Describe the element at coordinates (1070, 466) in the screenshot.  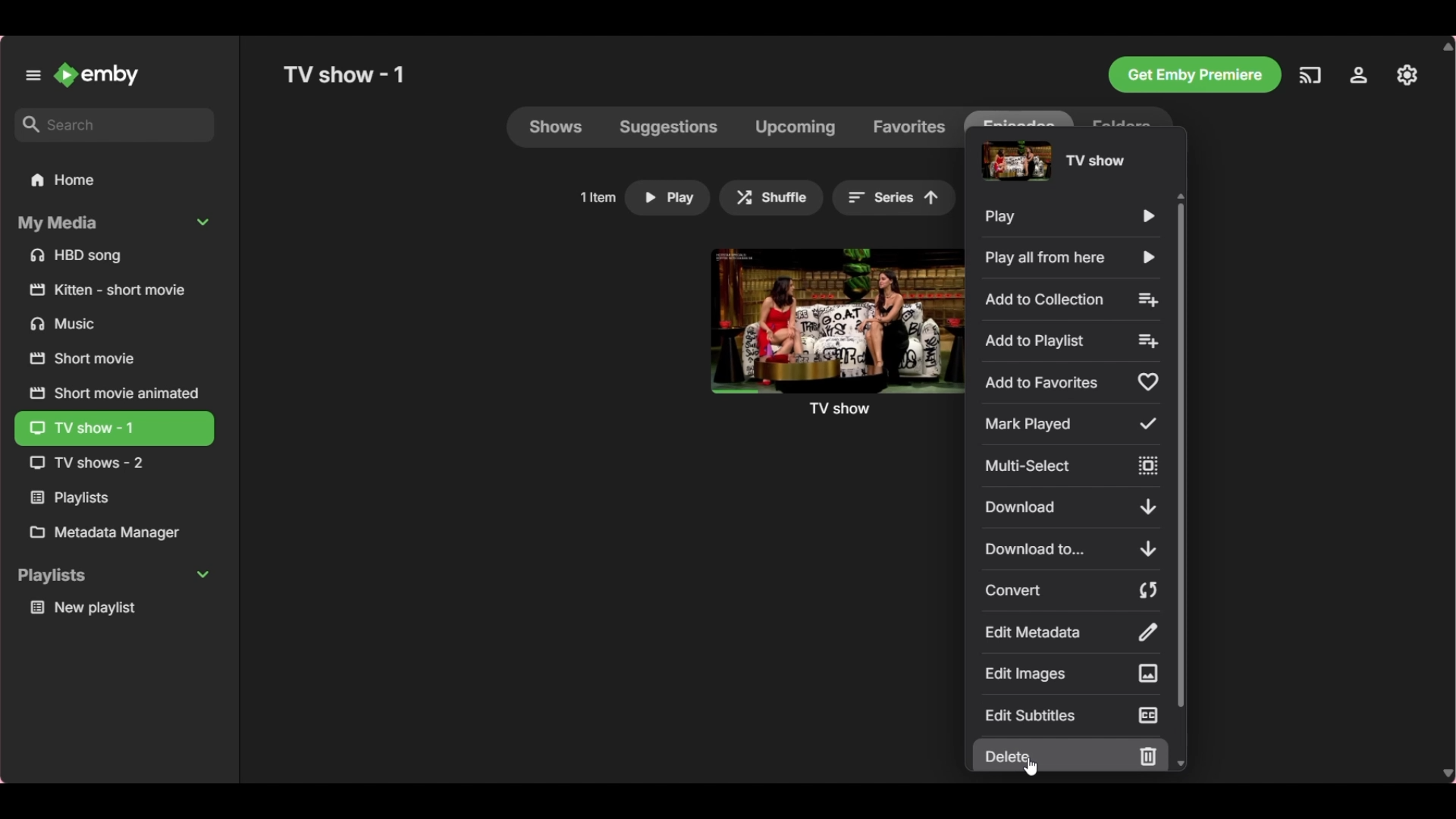
I see `Multi-select` at that location.